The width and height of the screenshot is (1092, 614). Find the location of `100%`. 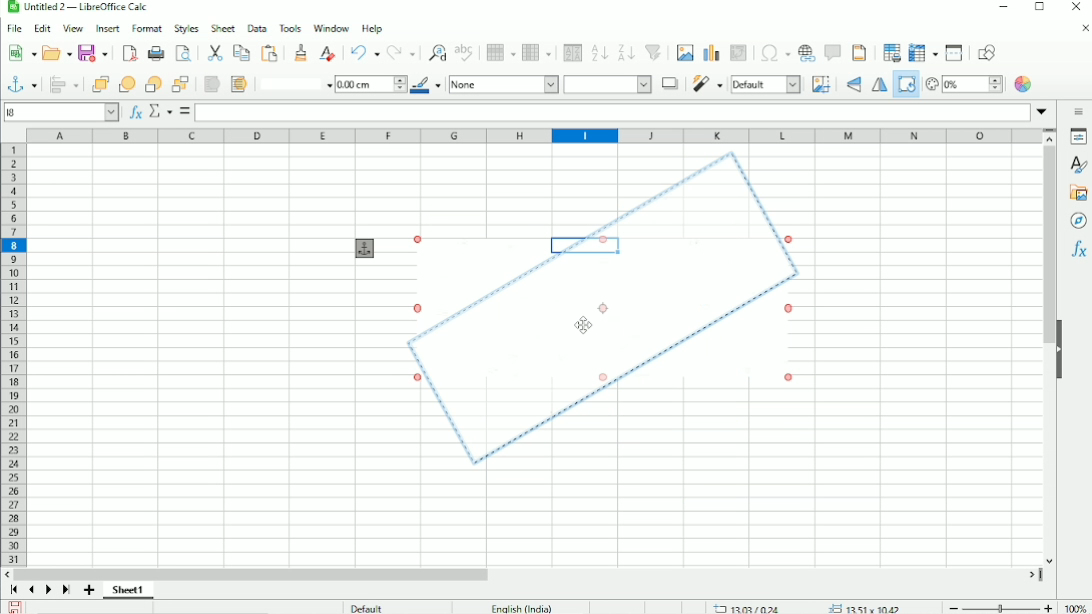

100% is located at coordinates (1075, 605).